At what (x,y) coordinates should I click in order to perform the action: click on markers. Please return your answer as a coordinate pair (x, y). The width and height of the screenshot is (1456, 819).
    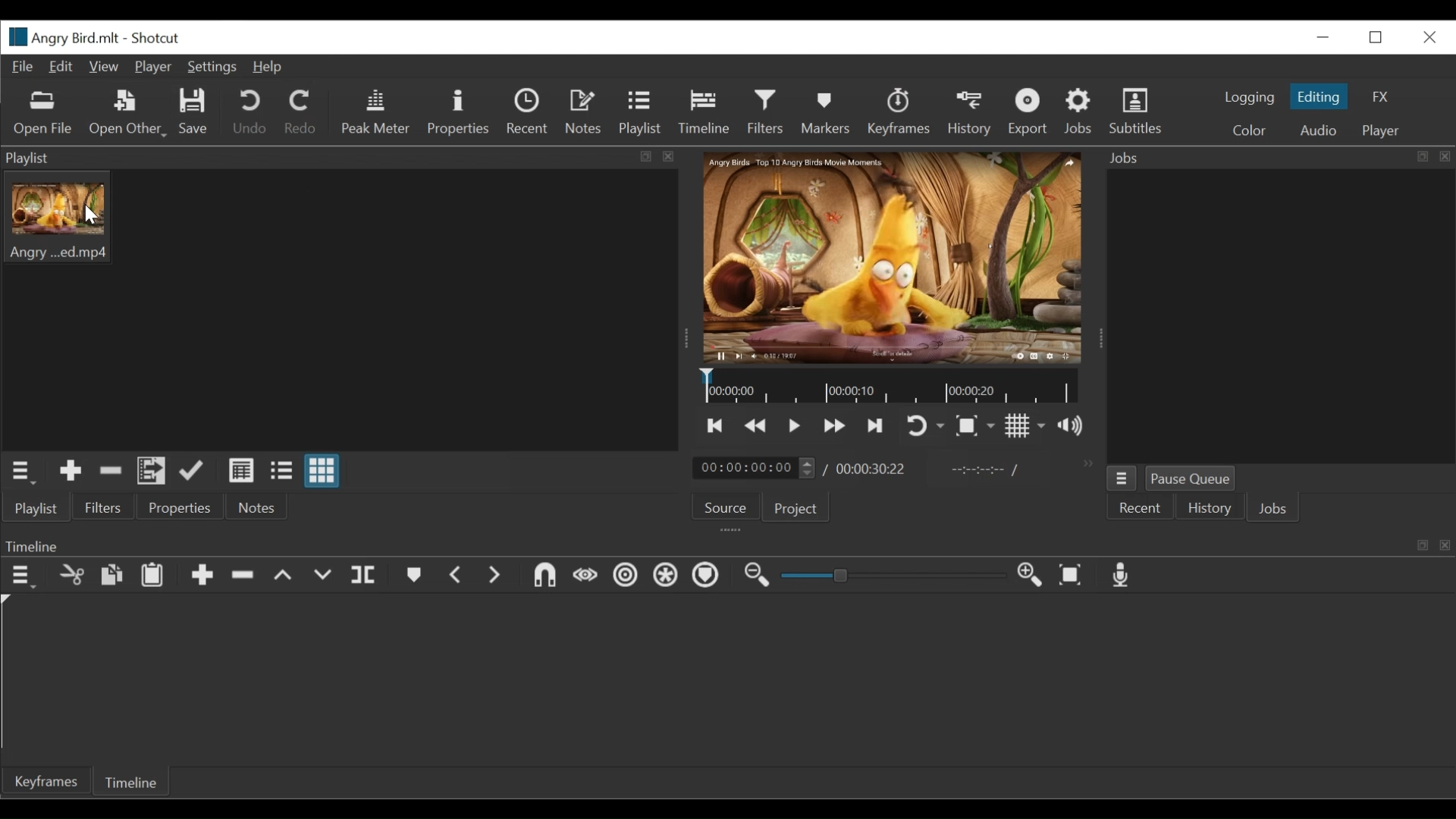
    Looking at the image, I should click on (415, 576).